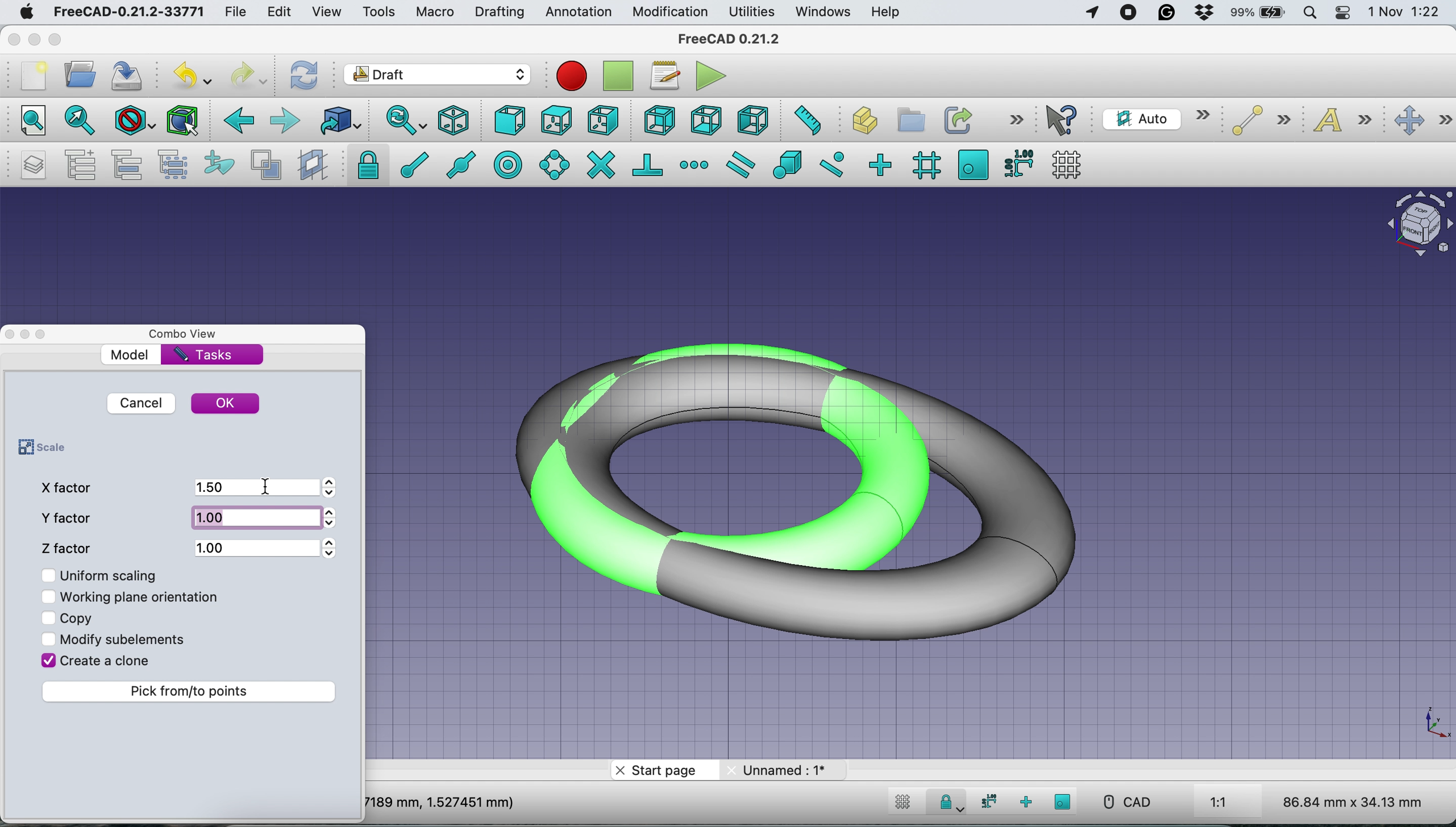 The height and width of the screenshot is (827, 1456). I want to click on Arrows, so click(334, 519).